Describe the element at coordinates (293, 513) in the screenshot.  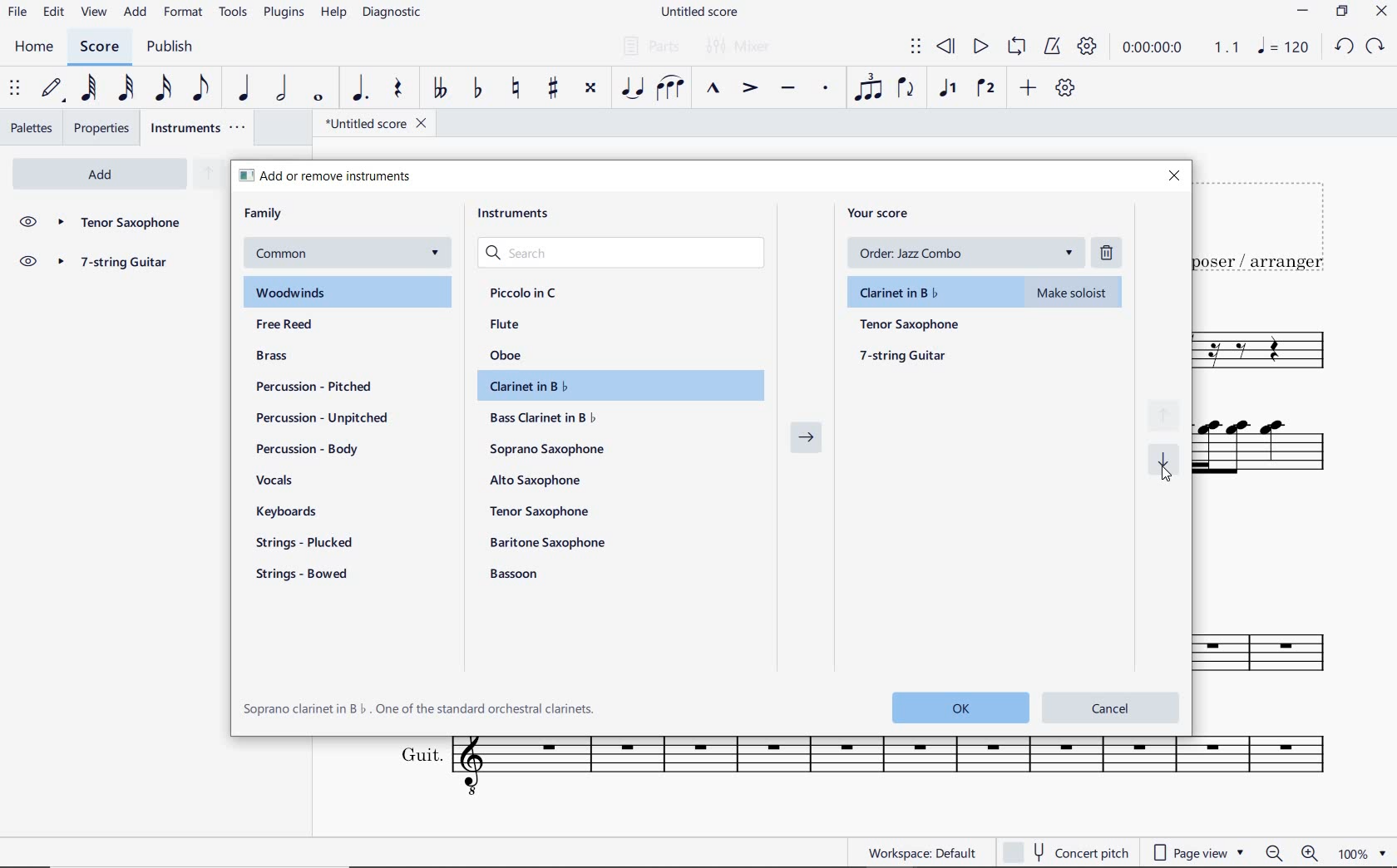
I see `keyboards` at that location.